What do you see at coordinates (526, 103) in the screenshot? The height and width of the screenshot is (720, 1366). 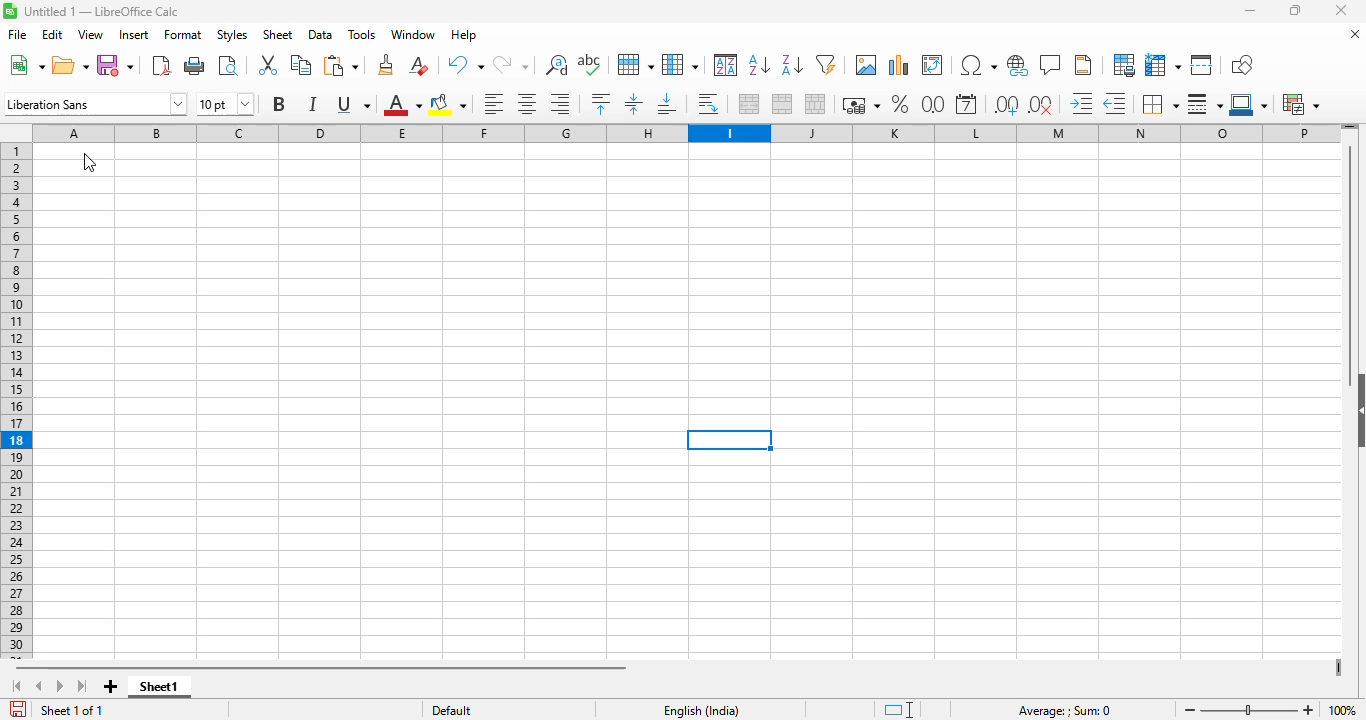 I see `align center` at bounding box center [526, 103].